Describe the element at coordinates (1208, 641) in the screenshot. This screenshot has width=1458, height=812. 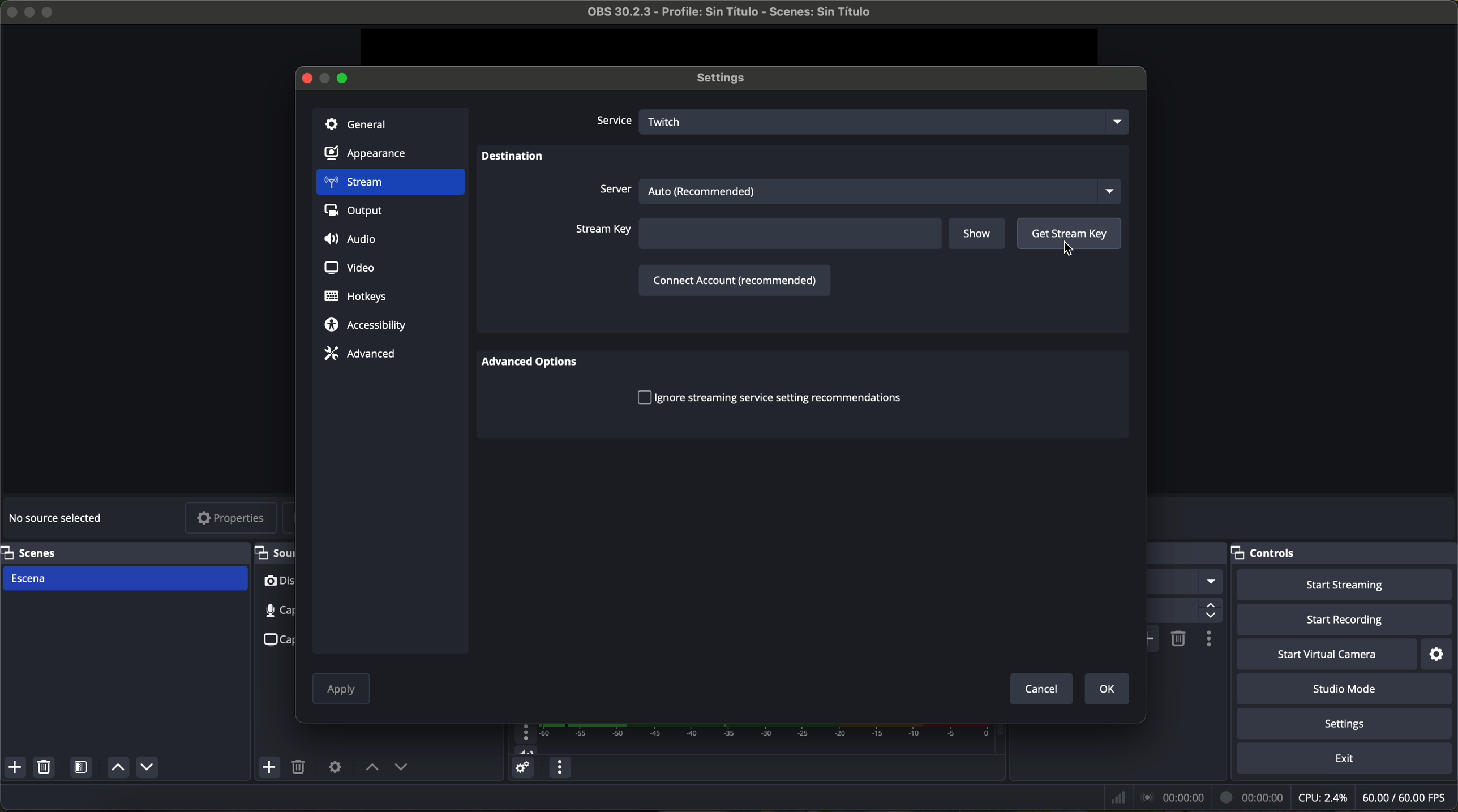
I see `transition properties` at that location.